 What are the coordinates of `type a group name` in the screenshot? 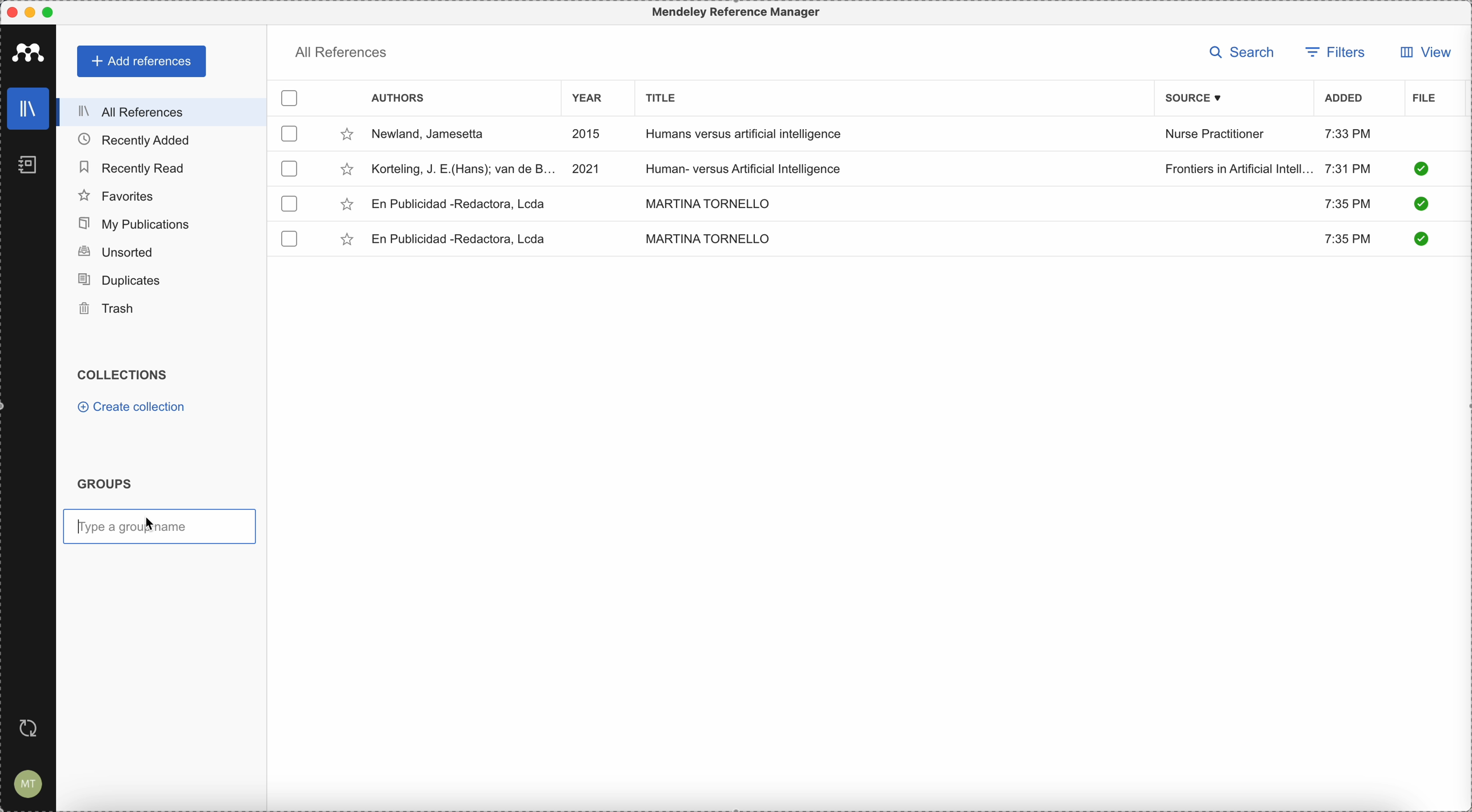 It's located at (213, 527).